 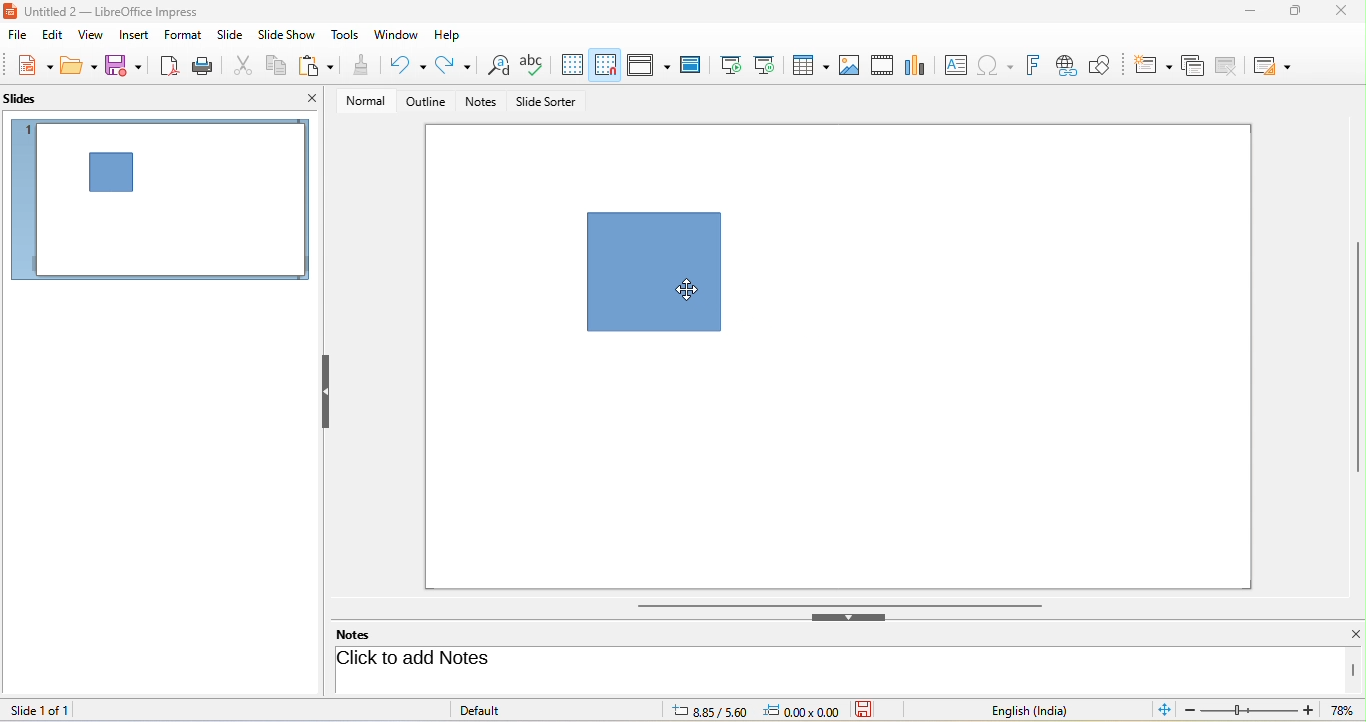 What do you see at coordinates (849, 617) in the screenshot?
I see `hide` at bounding box center [849, 617].